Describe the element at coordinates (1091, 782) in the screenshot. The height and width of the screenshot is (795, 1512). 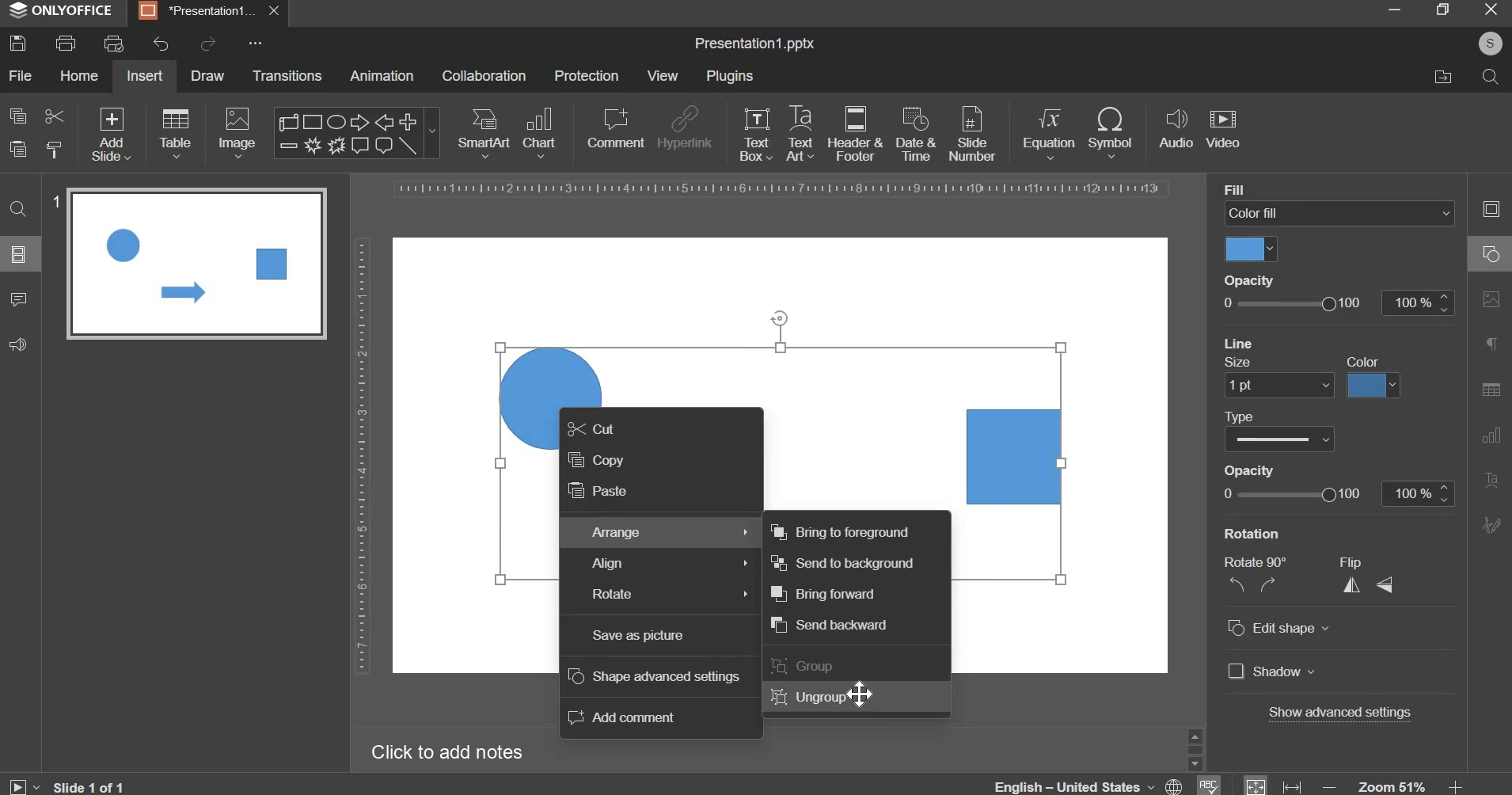
I see `language` at that location.